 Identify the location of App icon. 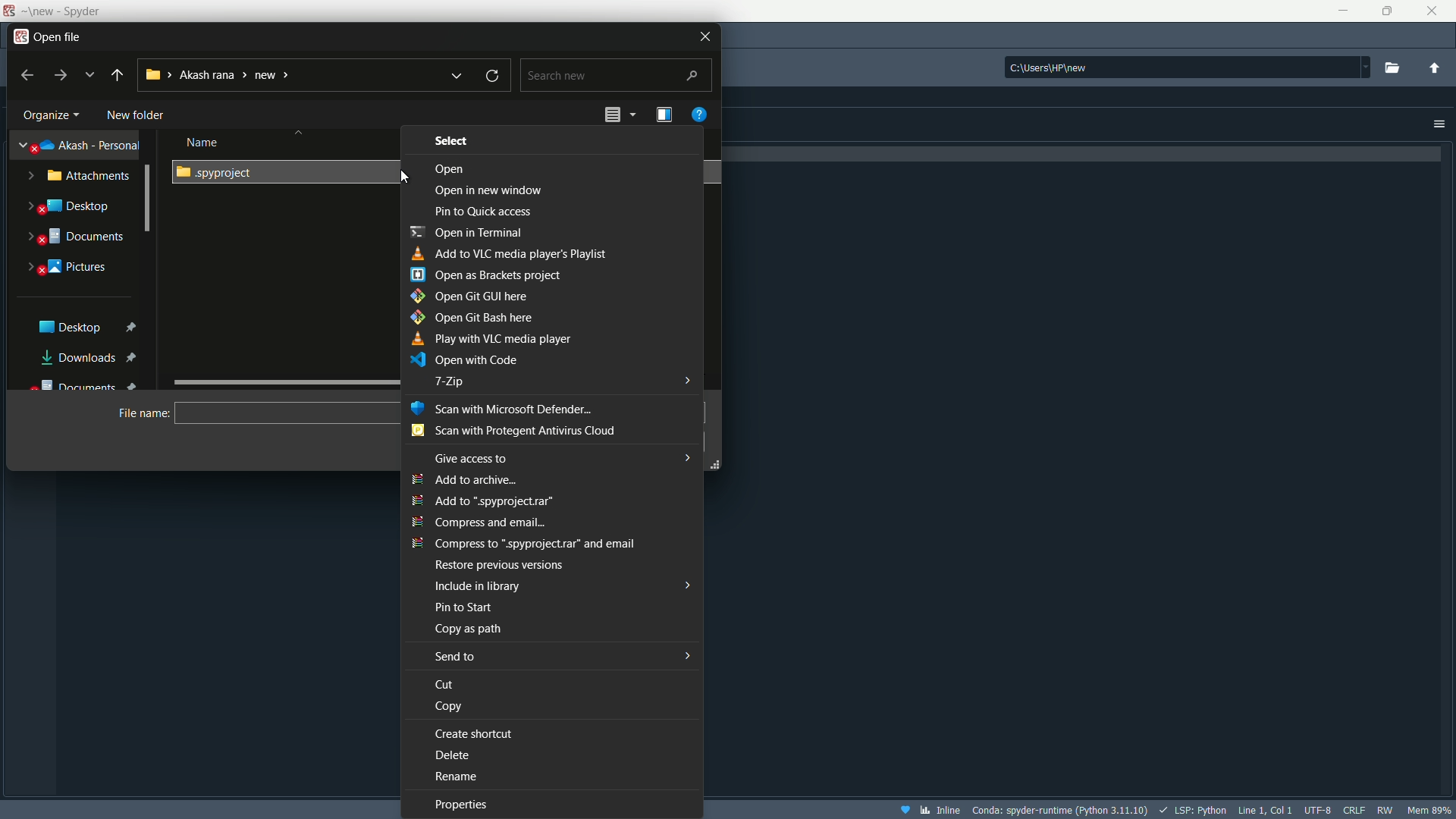
(11, 12).